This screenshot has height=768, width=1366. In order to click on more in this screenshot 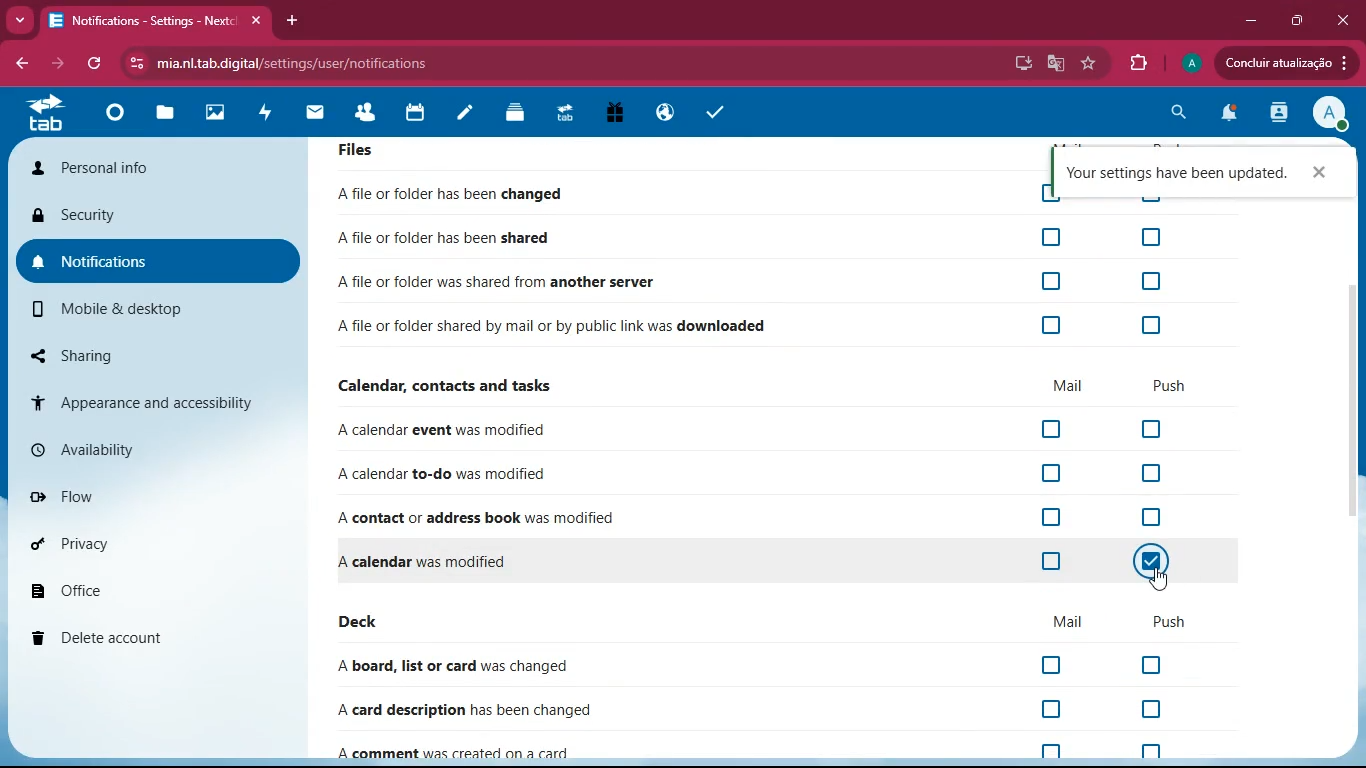, I will do `click(20, 19)`.